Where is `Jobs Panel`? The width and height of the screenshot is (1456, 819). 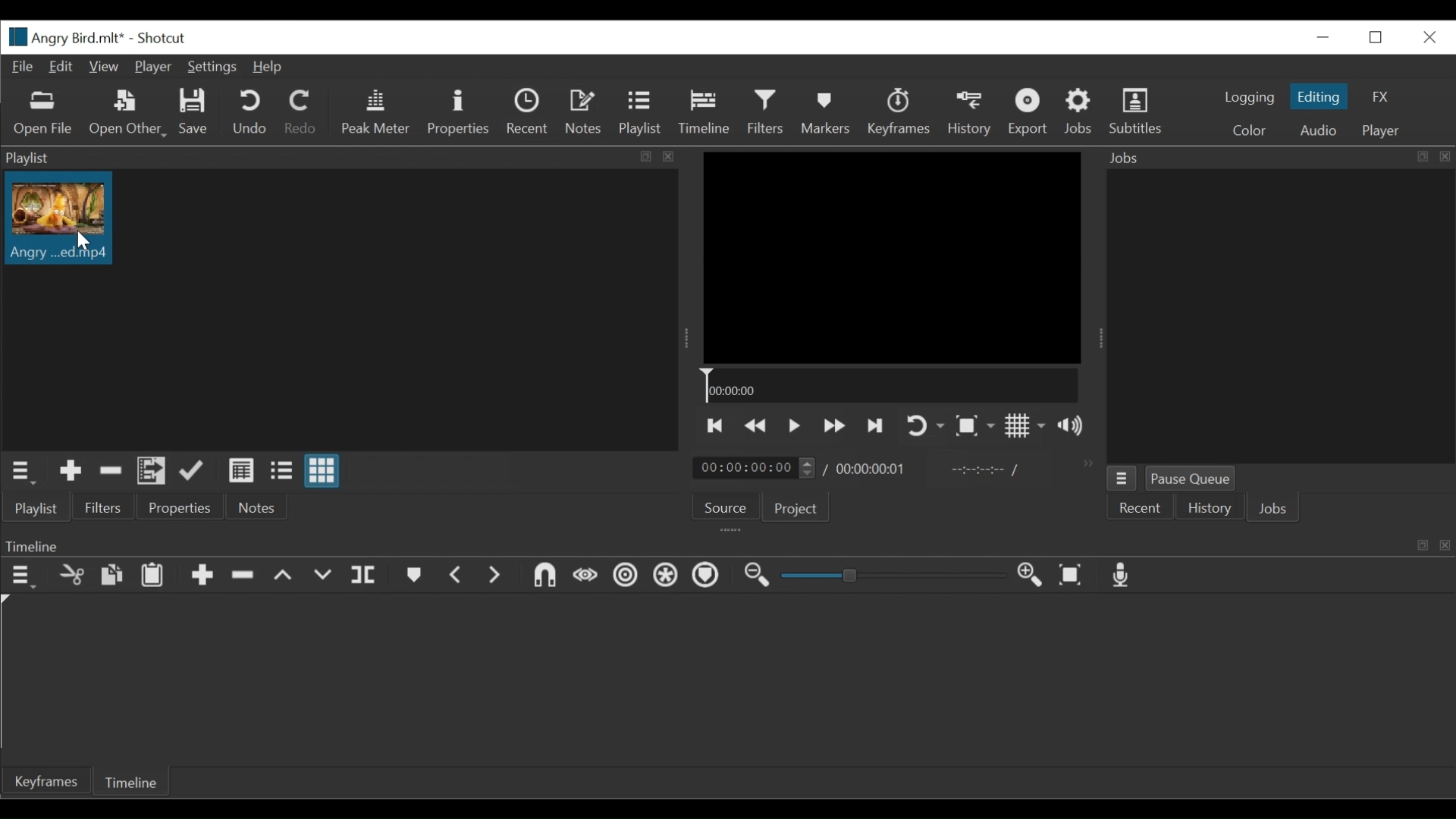
Jobs Panel is located at coordinates (1278, 158).